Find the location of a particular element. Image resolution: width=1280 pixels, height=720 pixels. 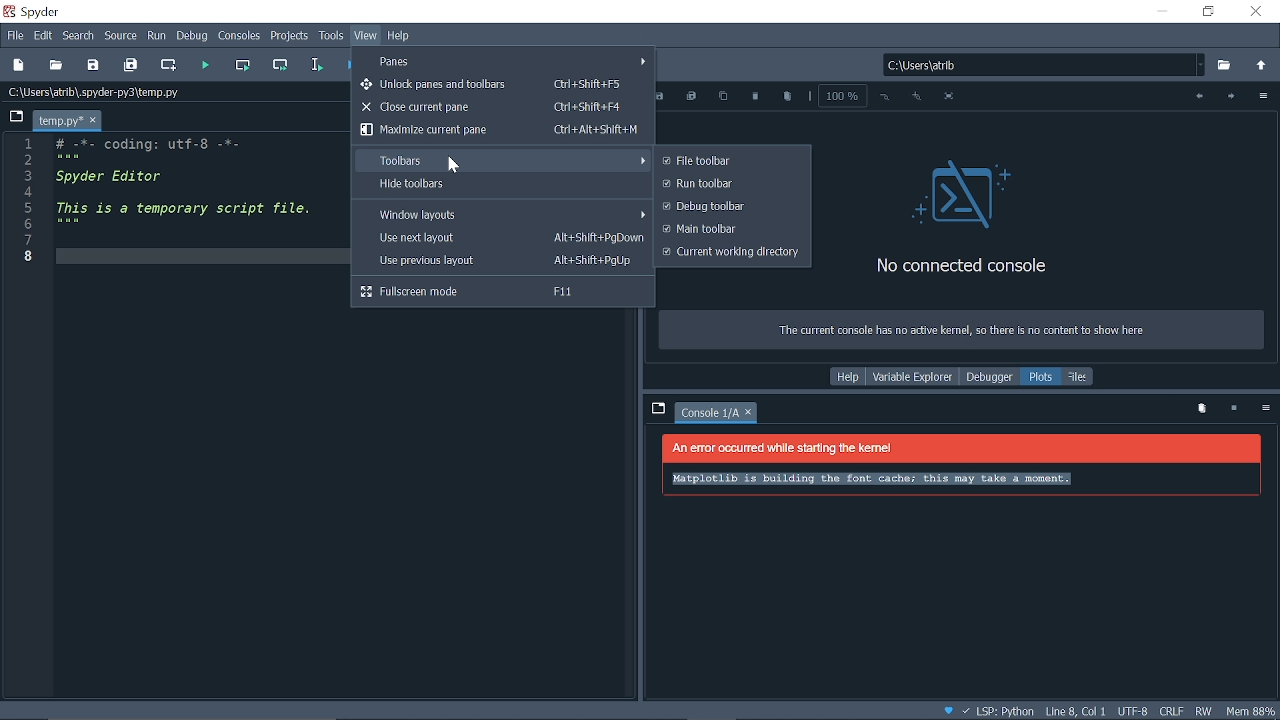

Open is located at coordinates (56, 64).